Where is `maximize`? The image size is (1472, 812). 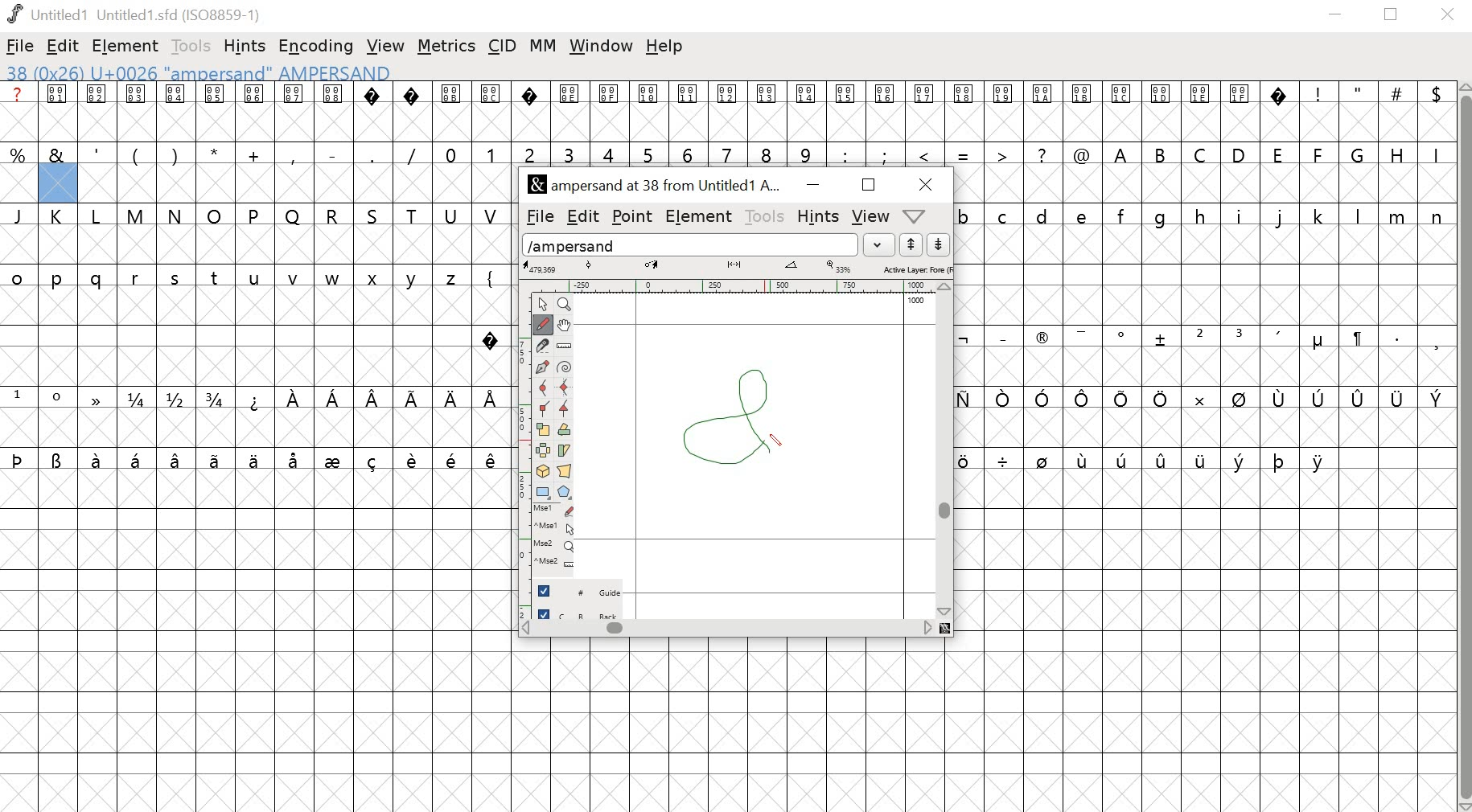
maximize is located at coordinates (1394, 15).